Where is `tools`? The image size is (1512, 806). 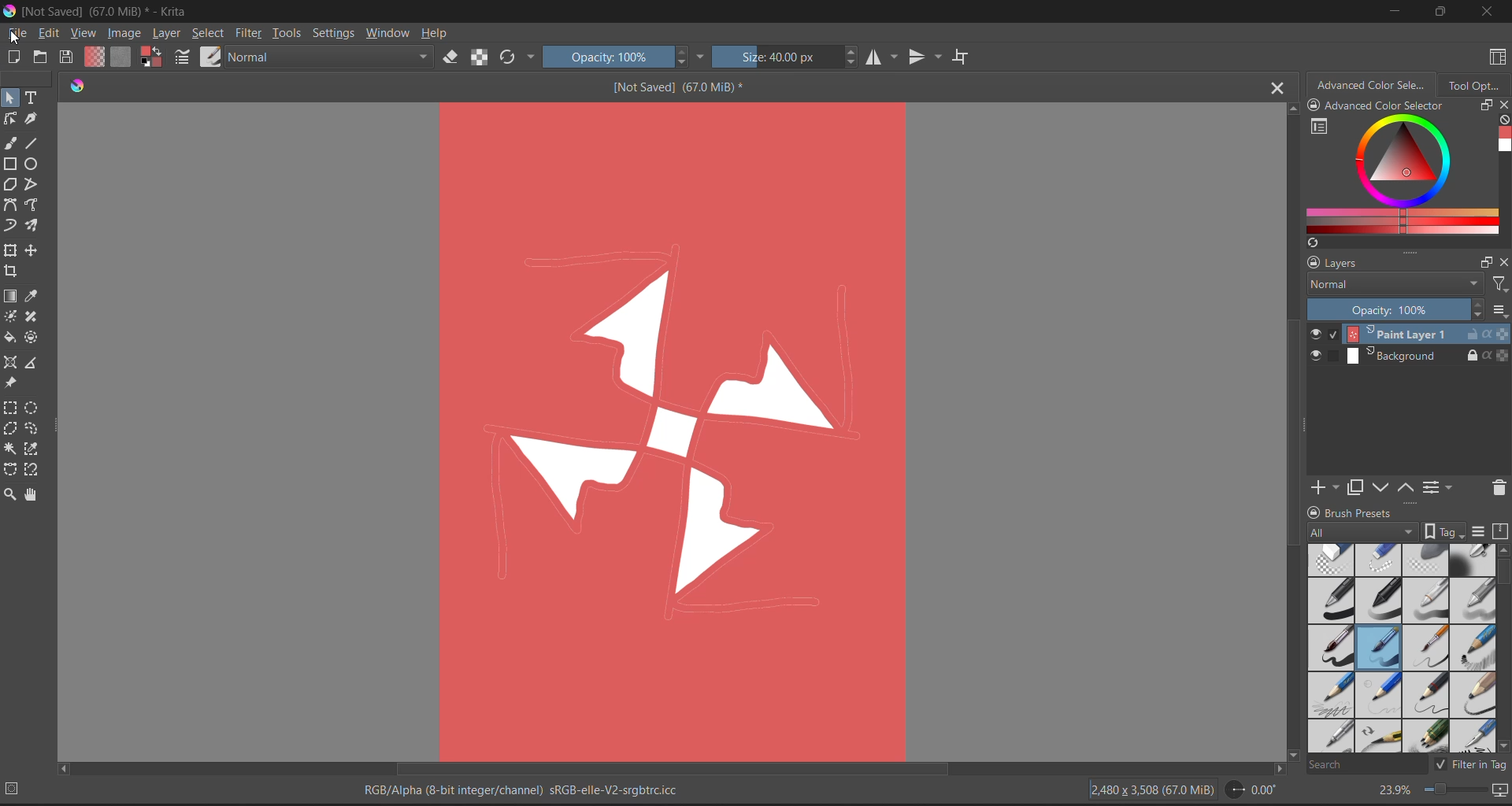 tools is located at coordinates (11, 338).